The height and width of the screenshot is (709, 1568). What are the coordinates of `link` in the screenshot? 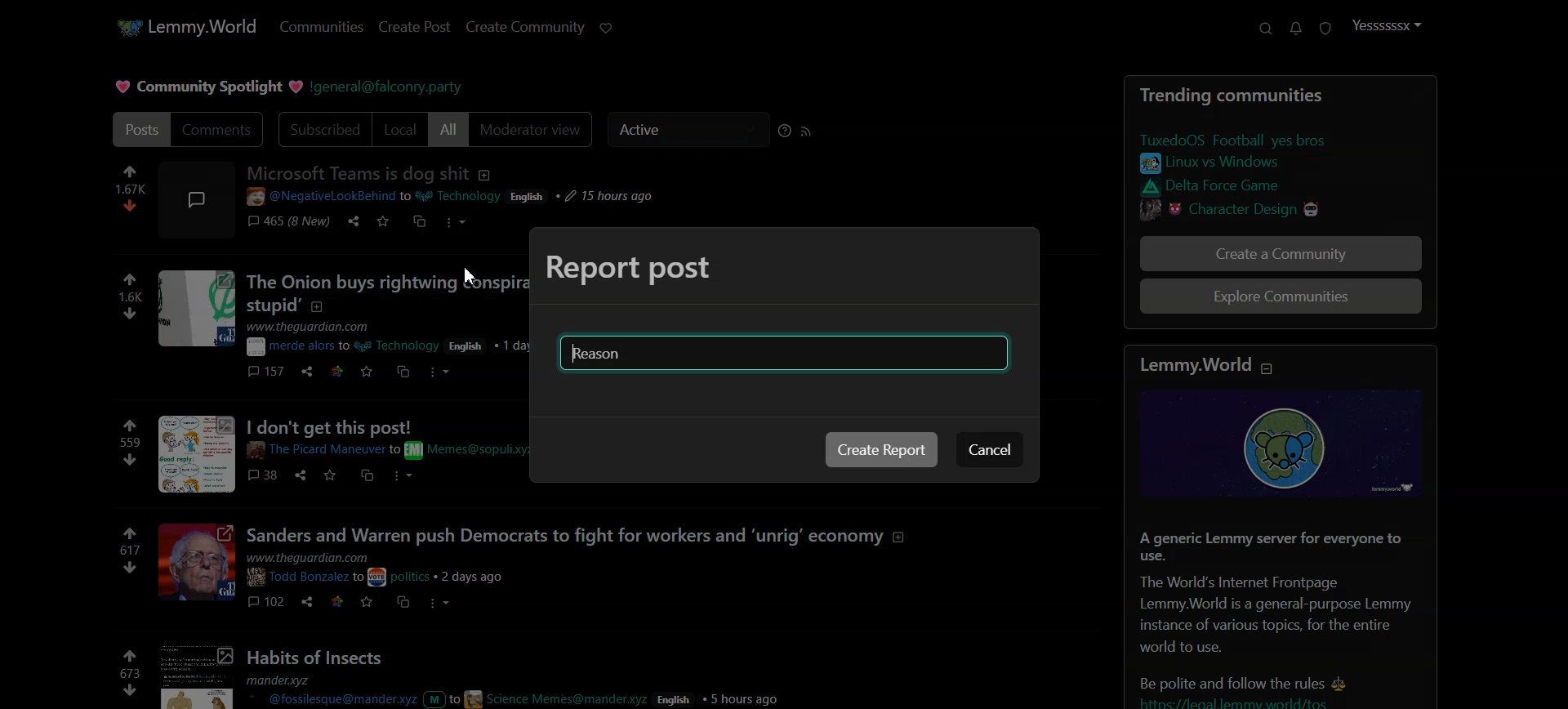 It's located at (131, 534).